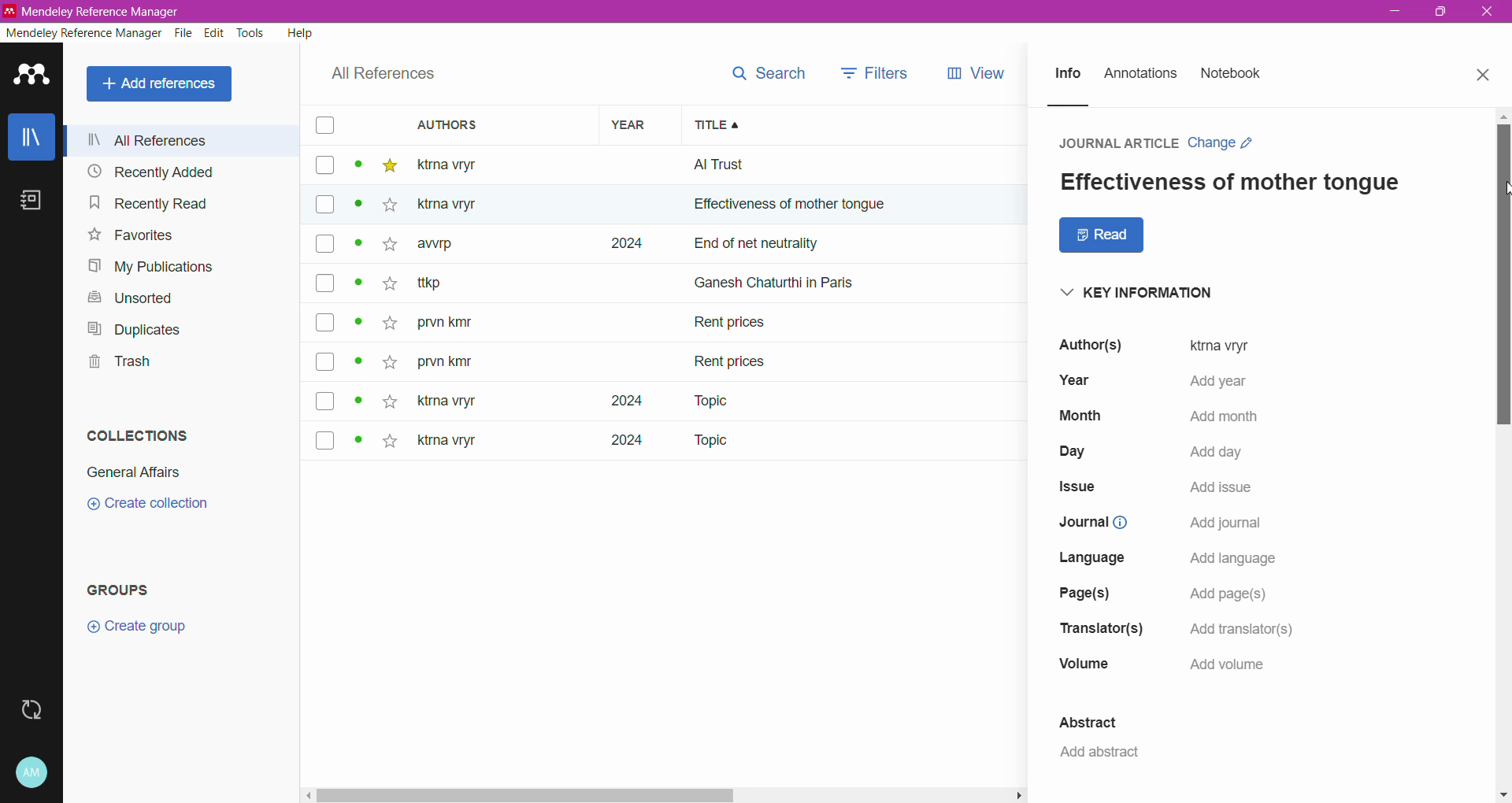 The width and height of the screenshot is (1512, 803). Describe the element at coordinates (1073, 453) in the screenshot. I see `Day` at that location.